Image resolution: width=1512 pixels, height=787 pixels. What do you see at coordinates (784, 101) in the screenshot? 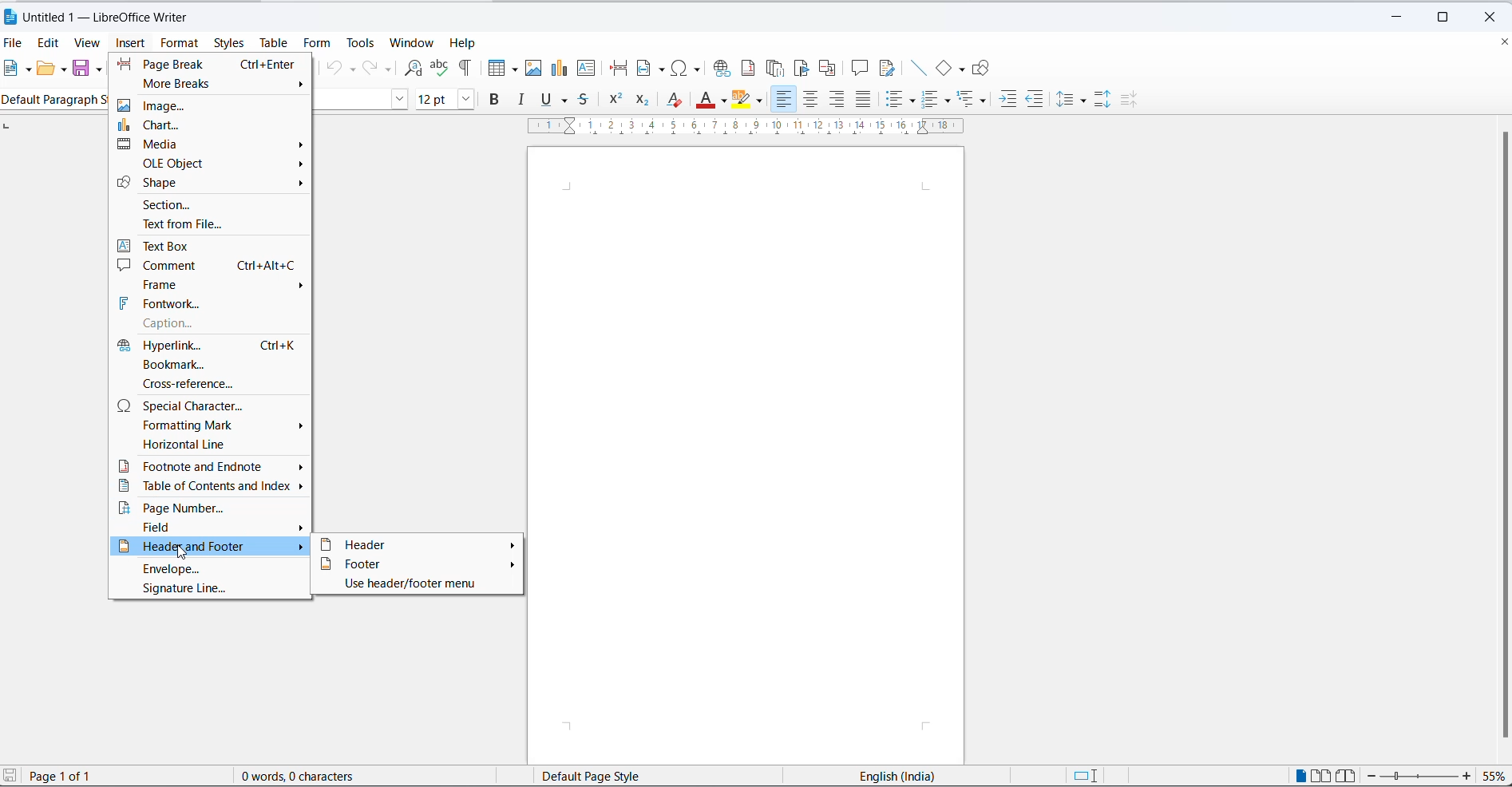
I see `text align left` at bounding box center [784, 101].